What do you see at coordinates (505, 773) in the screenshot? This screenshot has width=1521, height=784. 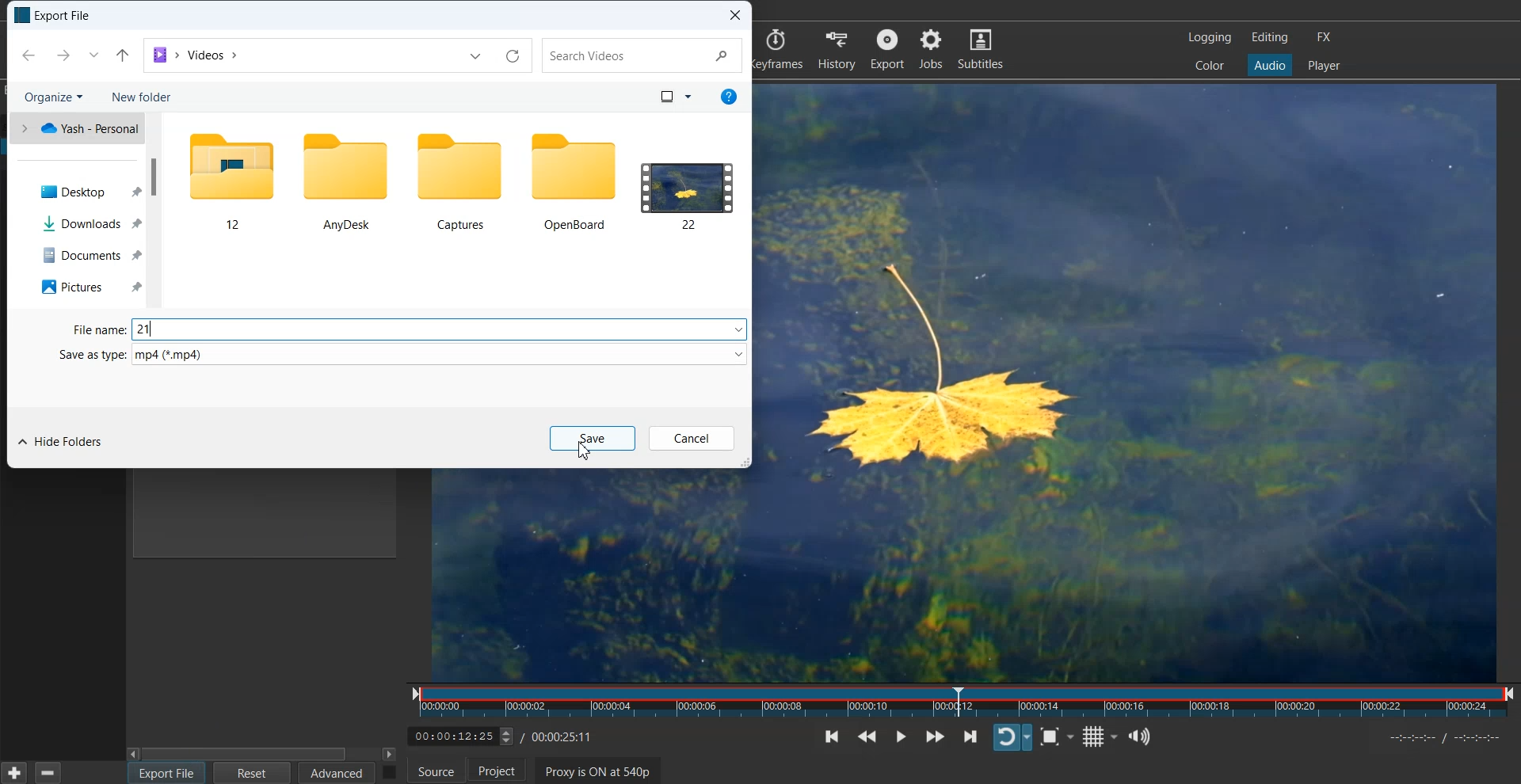 I see `Project` at bounding box center [505, 773].